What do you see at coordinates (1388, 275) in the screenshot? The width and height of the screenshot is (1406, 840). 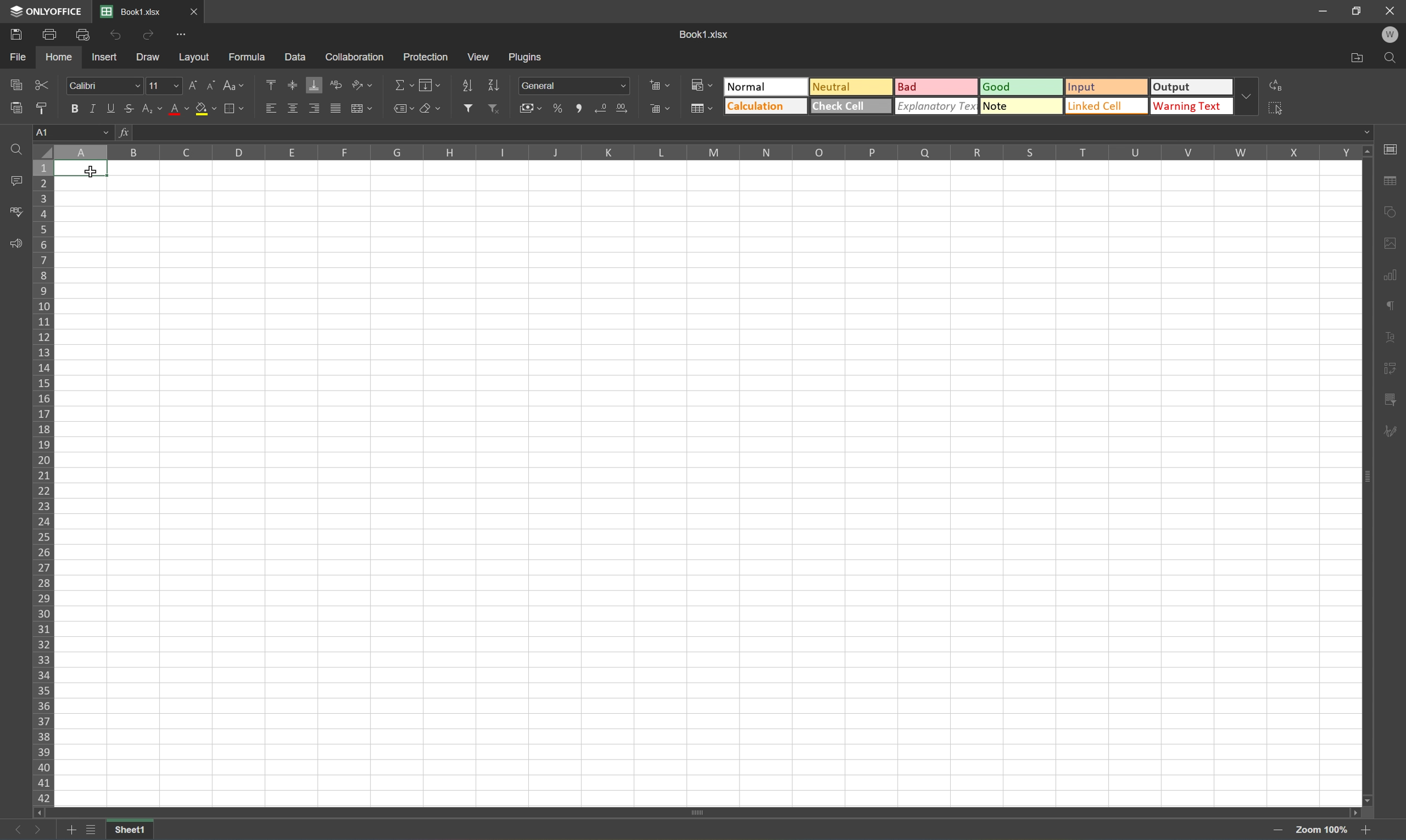 I see `Chart settings` at bounding box center [1388, 275].